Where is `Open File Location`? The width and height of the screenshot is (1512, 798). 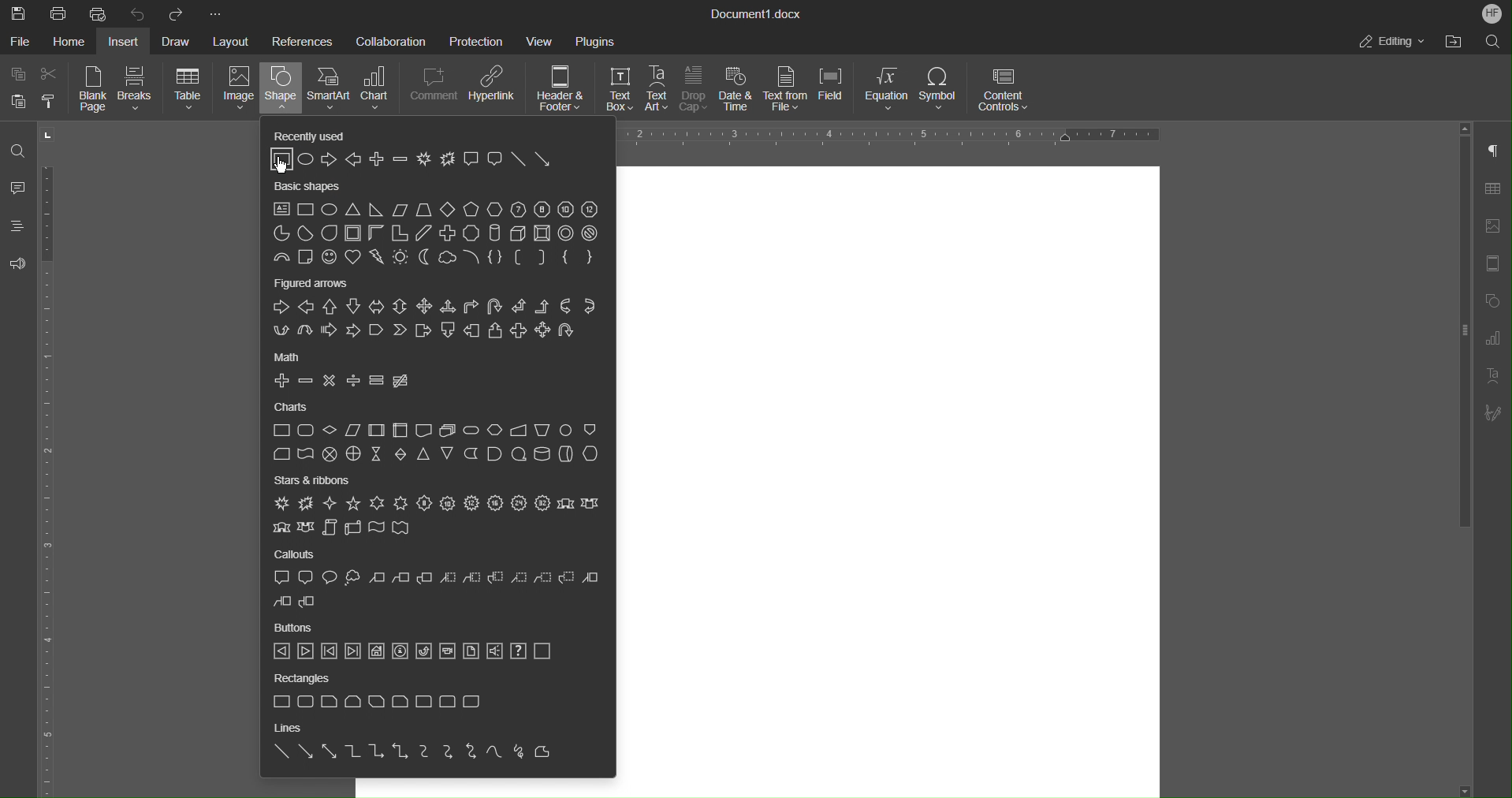
Open File Location is located at coordinates (1453, 42).